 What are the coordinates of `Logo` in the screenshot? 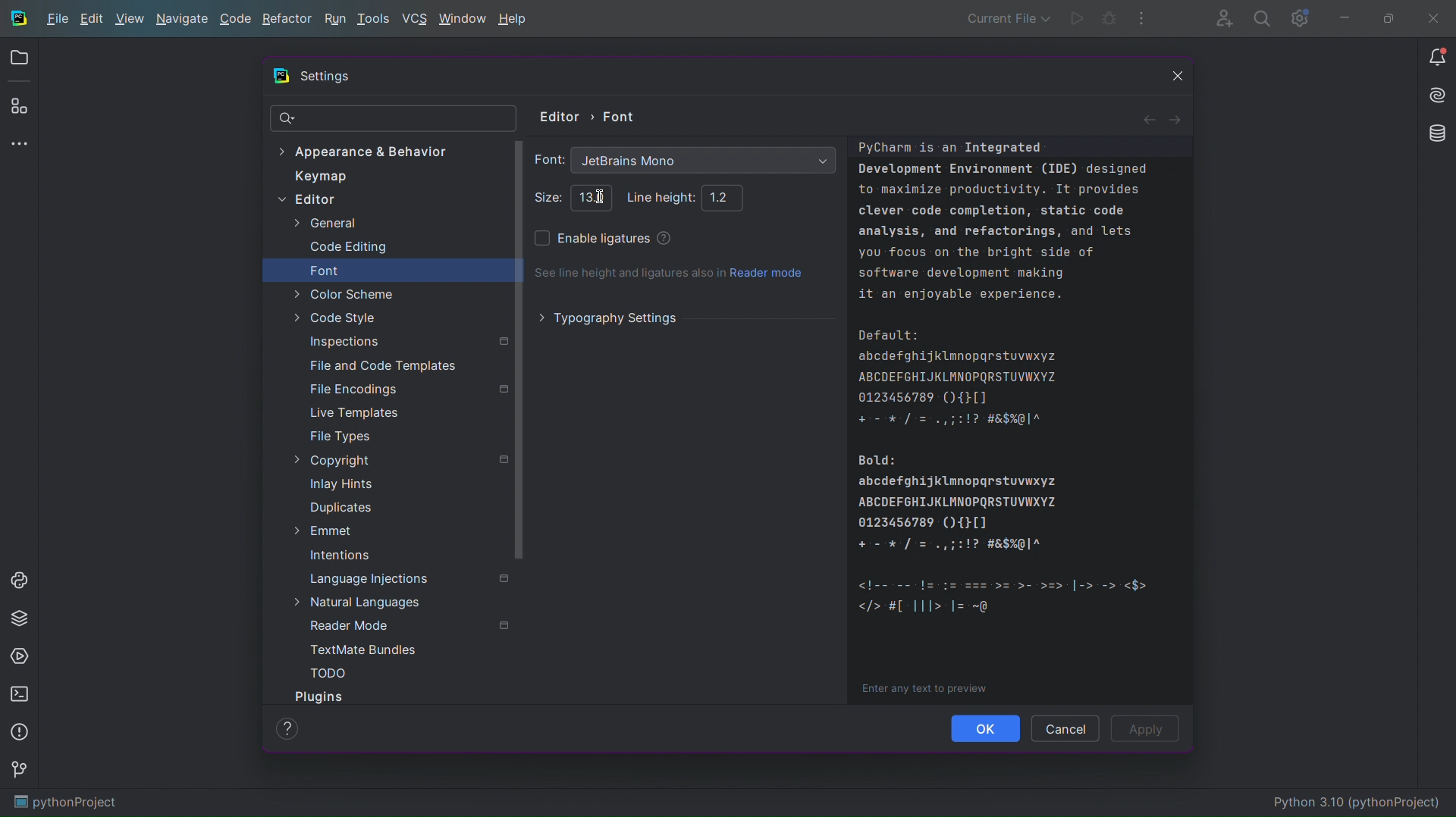 It's located at (18, 17).